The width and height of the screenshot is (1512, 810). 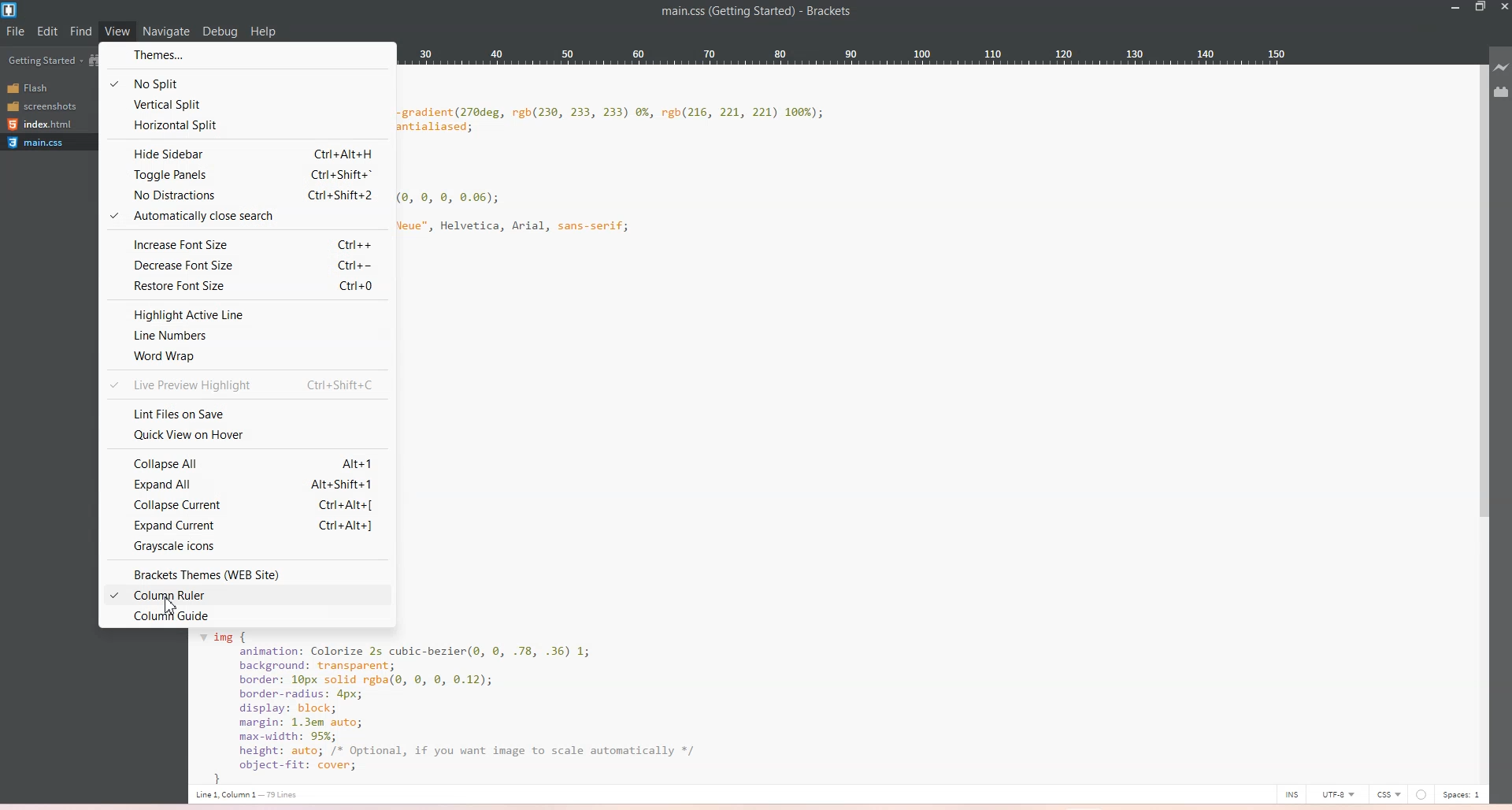 What do you see at coordinates (247, 384) in the screenshot?
I see `Live preview highlight` at bounding box center [247, 384].